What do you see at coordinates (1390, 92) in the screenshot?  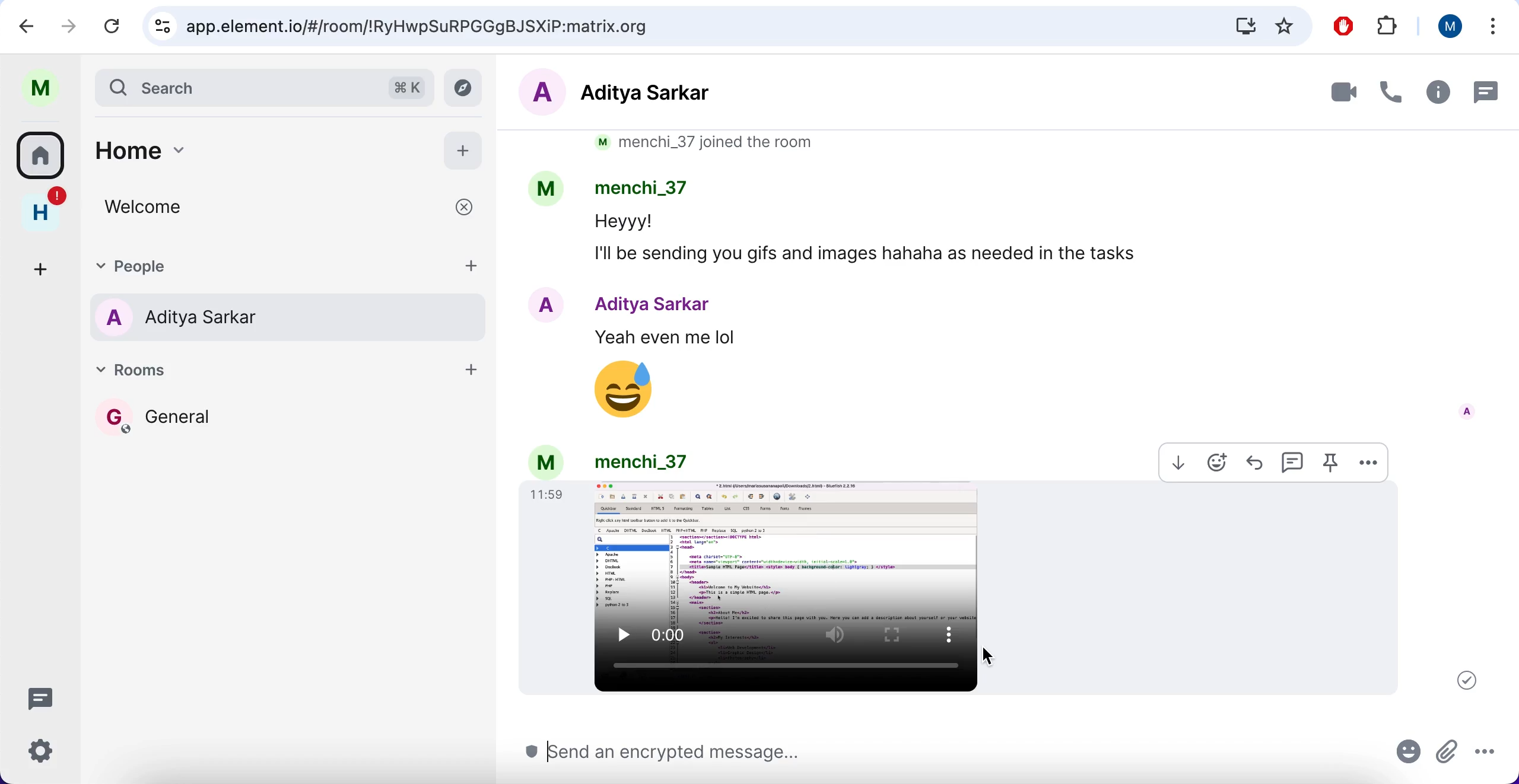 I see `call` at bounding box center [1390, 92].